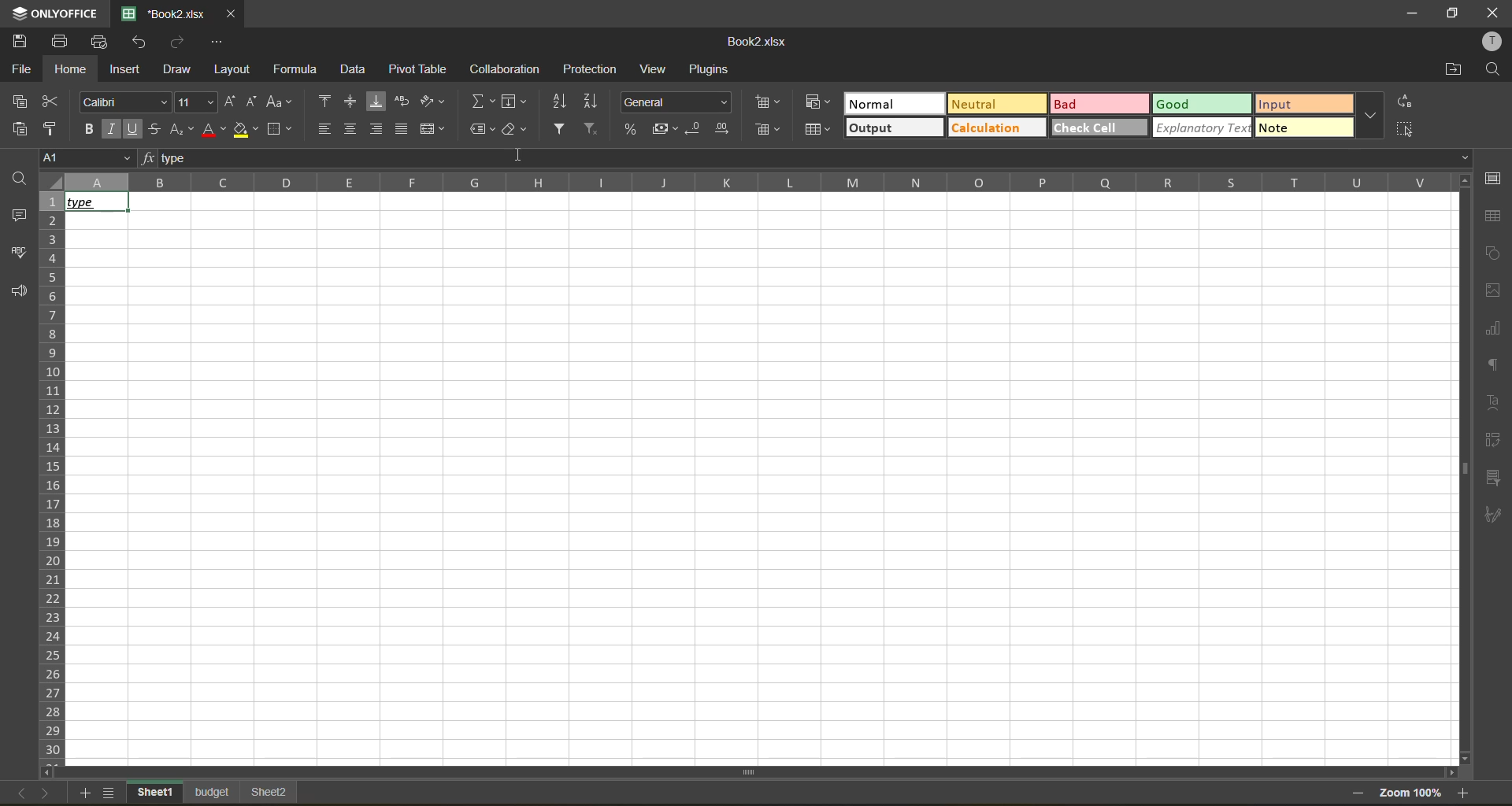 Image resolution: width=1512 pixels, height=806 pixels. What do you see at coordinates (1492, 73) in the screenshot?
I see `find` at bounding box center [1492, 73].